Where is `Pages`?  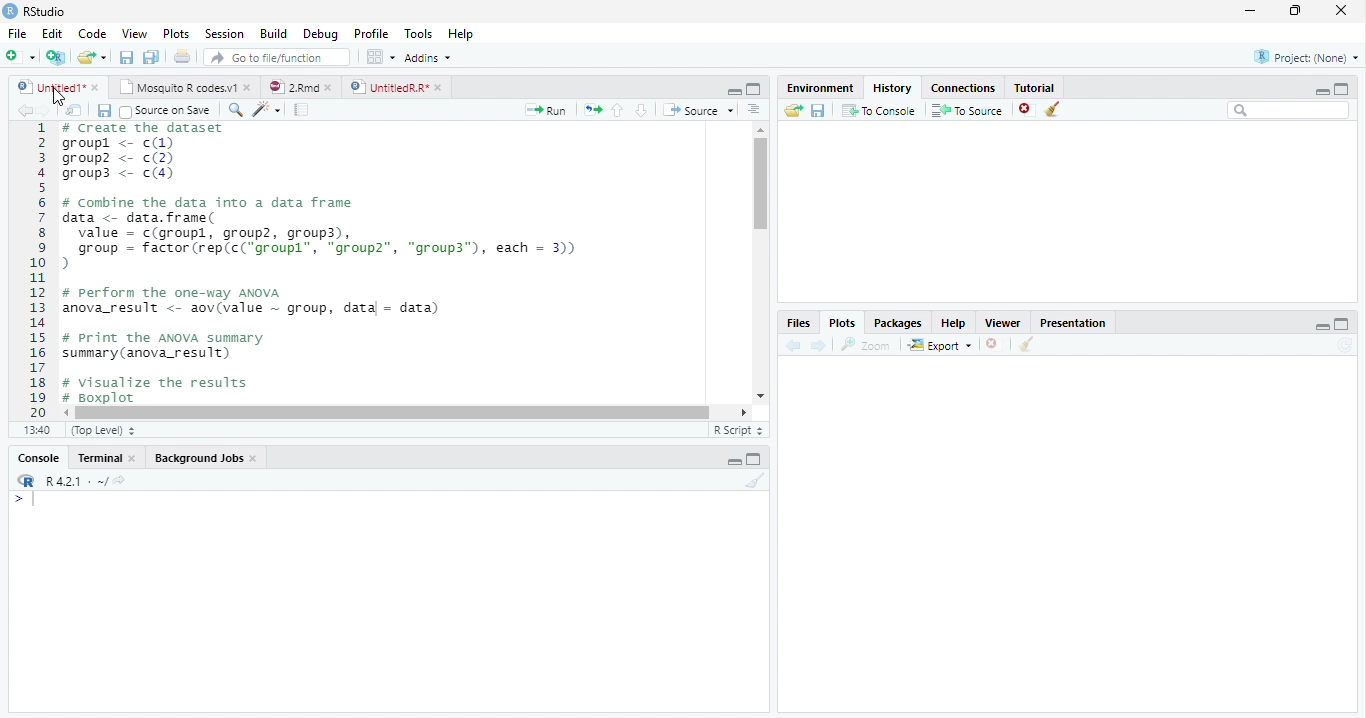 Pages is located at coordinates (301, 111).